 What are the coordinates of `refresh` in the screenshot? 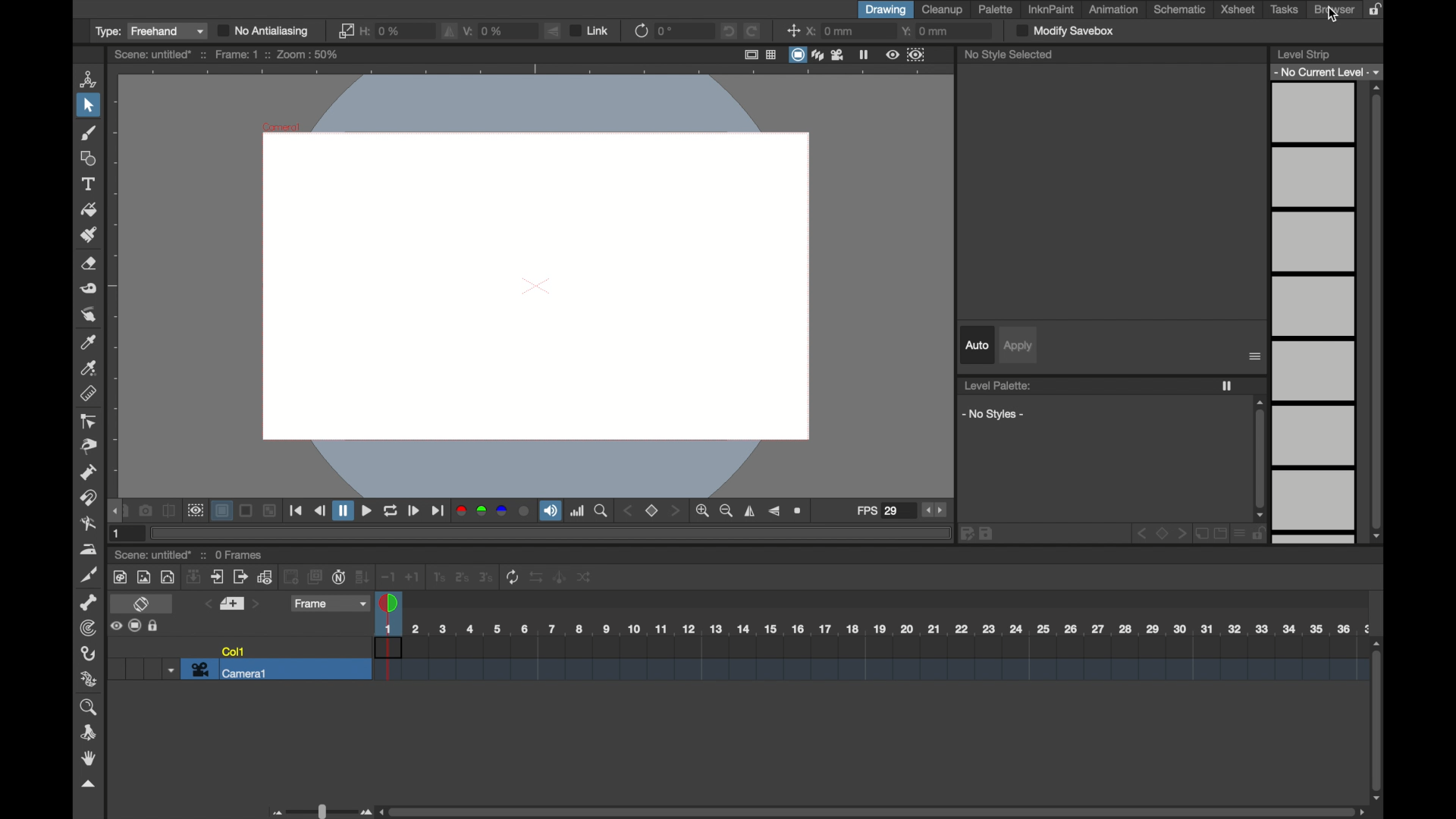 It's located at (640, 33).